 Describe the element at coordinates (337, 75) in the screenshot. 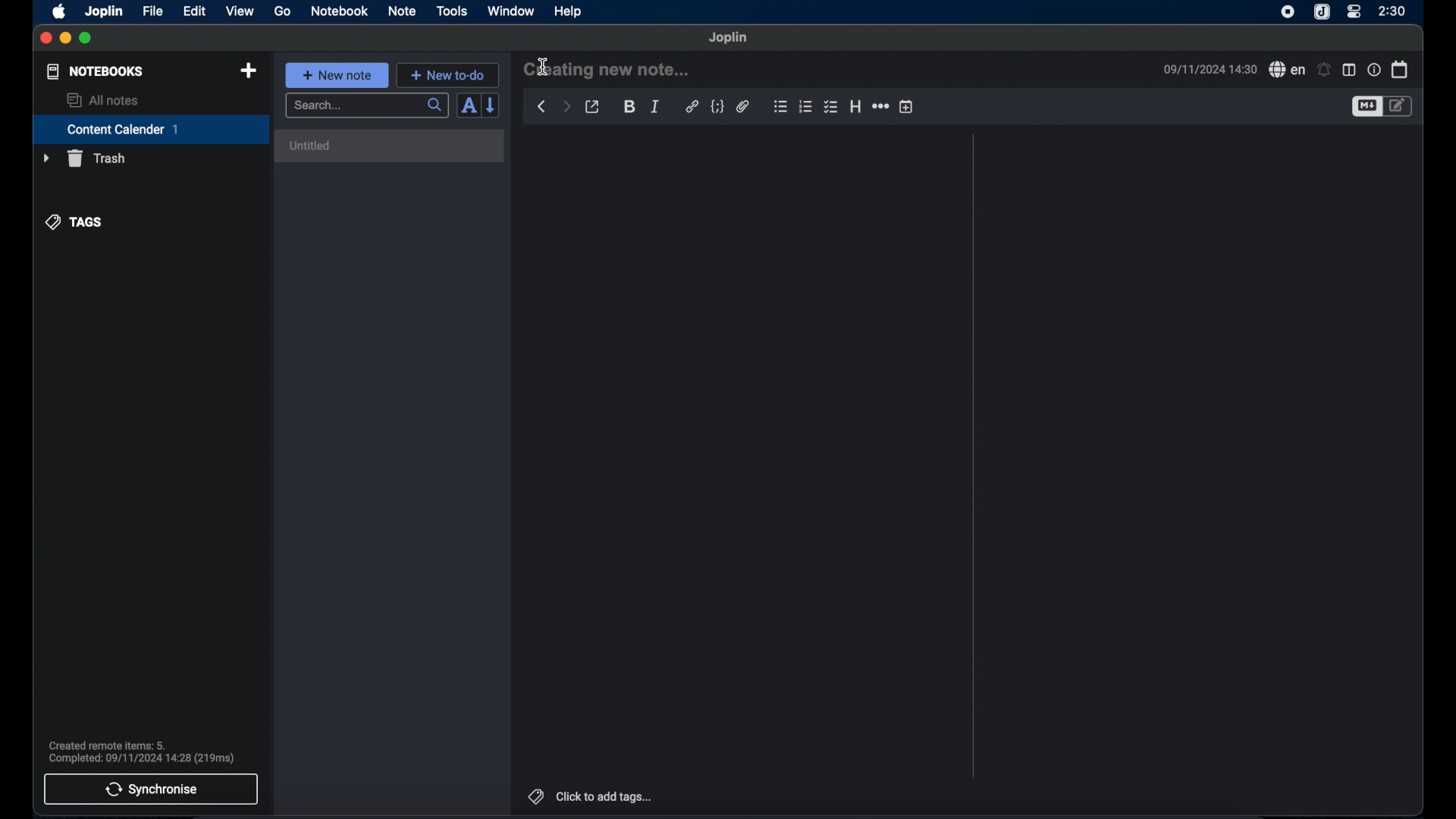

I see `new note` at that location.